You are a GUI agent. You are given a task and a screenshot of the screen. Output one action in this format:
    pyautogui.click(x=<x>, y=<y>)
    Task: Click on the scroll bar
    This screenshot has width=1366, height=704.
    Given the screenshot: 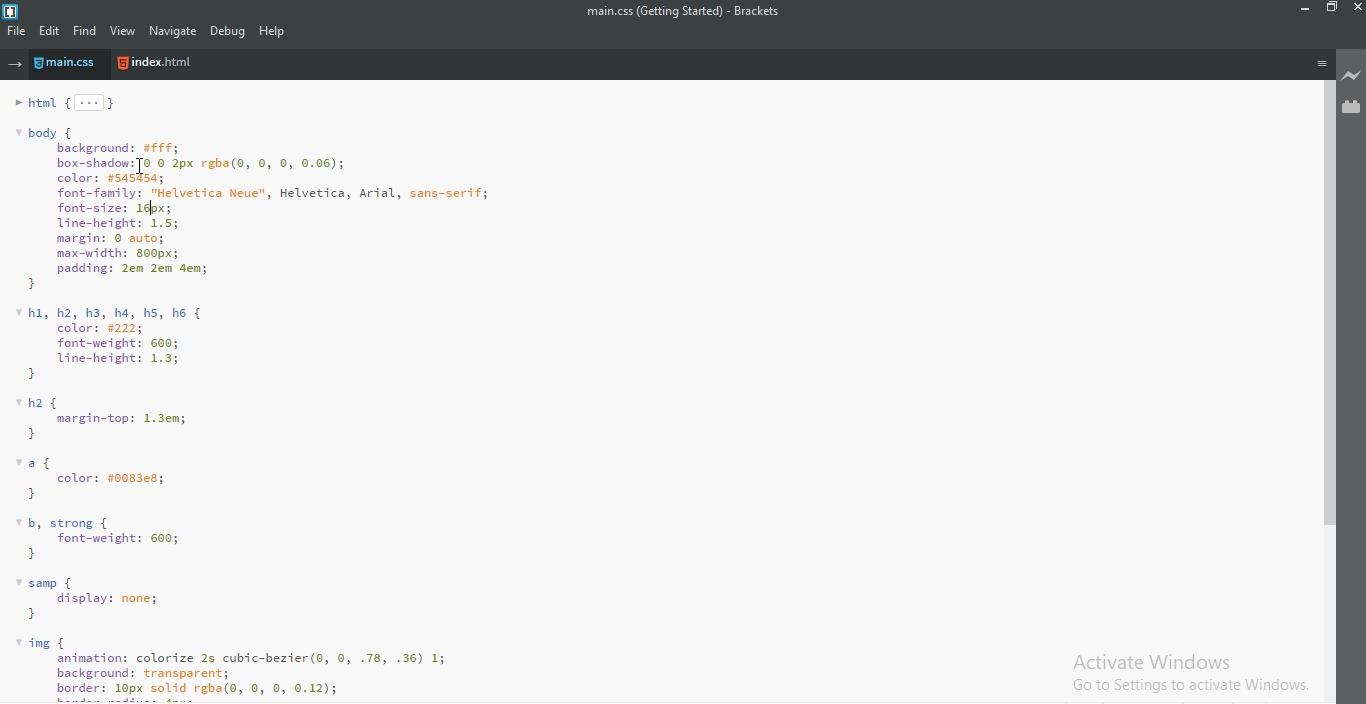 What is the action you would take?
    pyautogui.click(x=1324, y=302)
    